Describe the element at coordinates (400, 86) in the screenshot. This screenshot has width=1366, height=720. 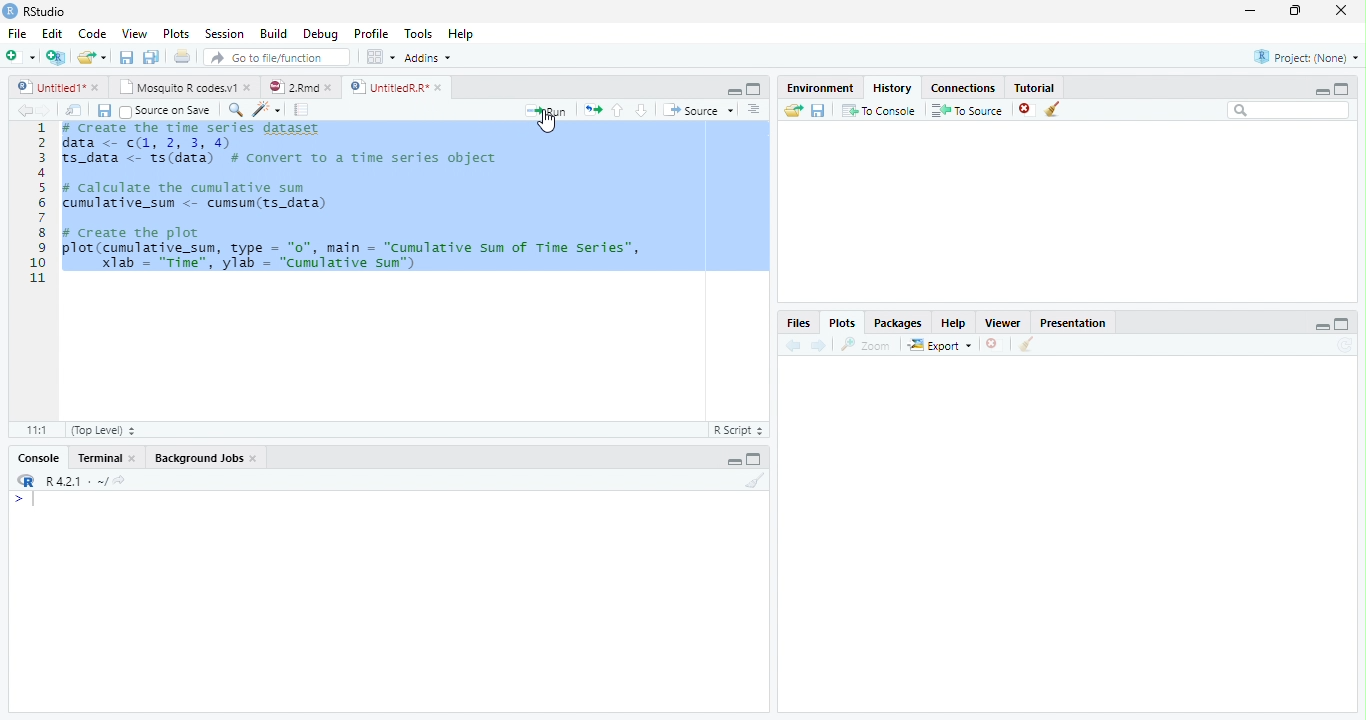
I see `UntitiledR.R` at that location.